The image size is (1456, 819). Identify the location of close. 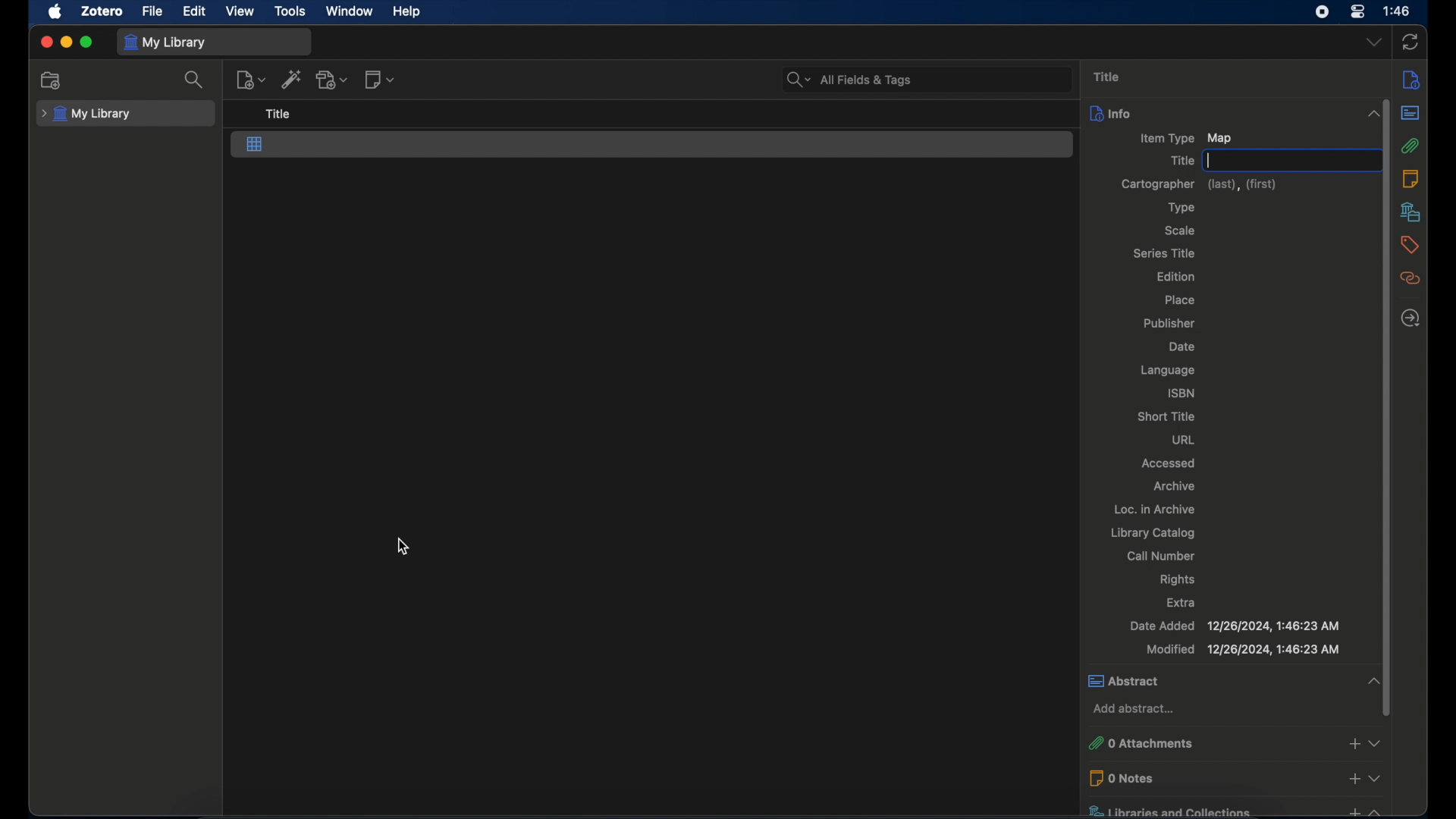
(45, 42).